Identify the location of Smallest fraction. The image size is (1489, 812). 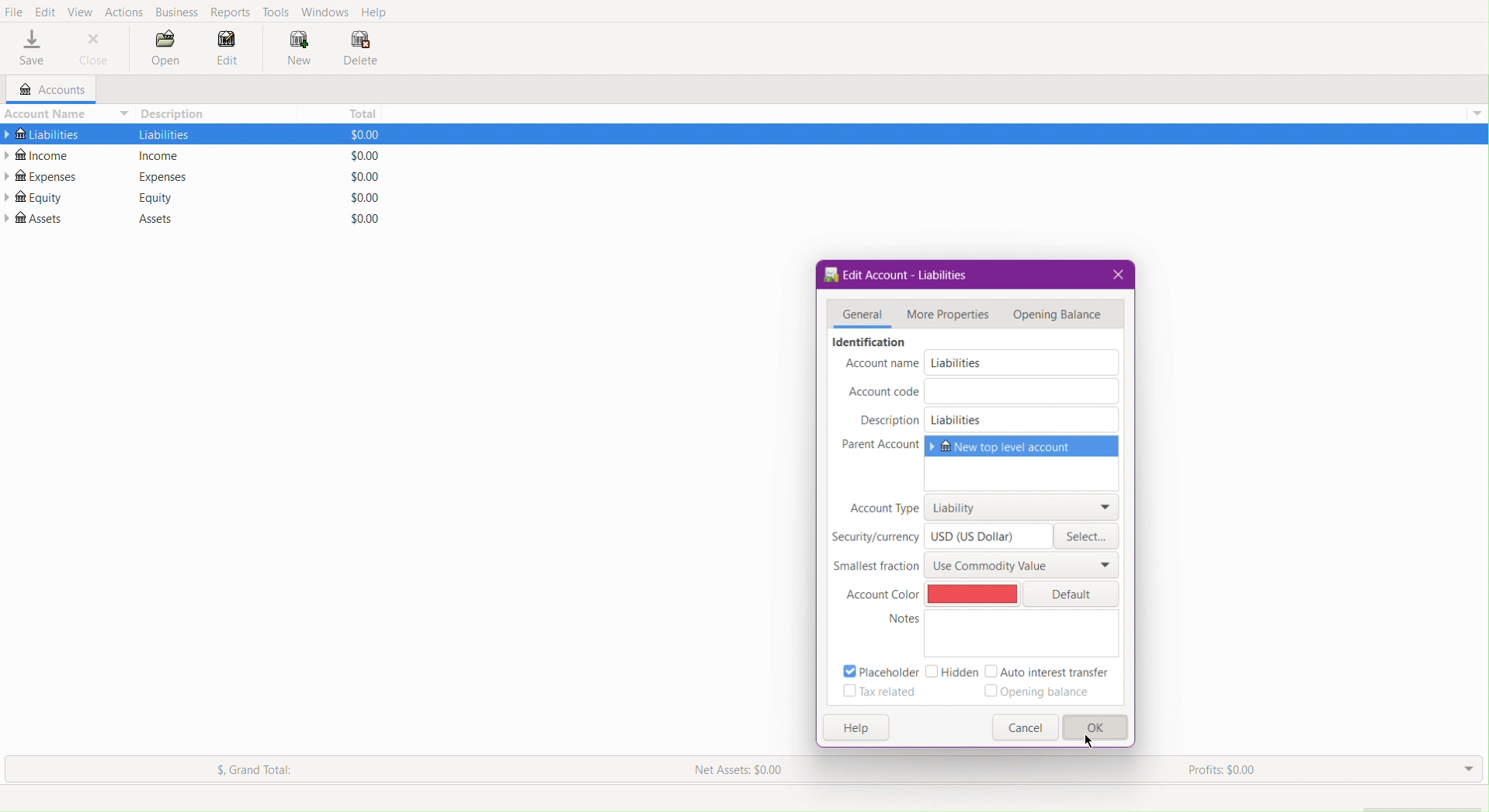
(876, 566).